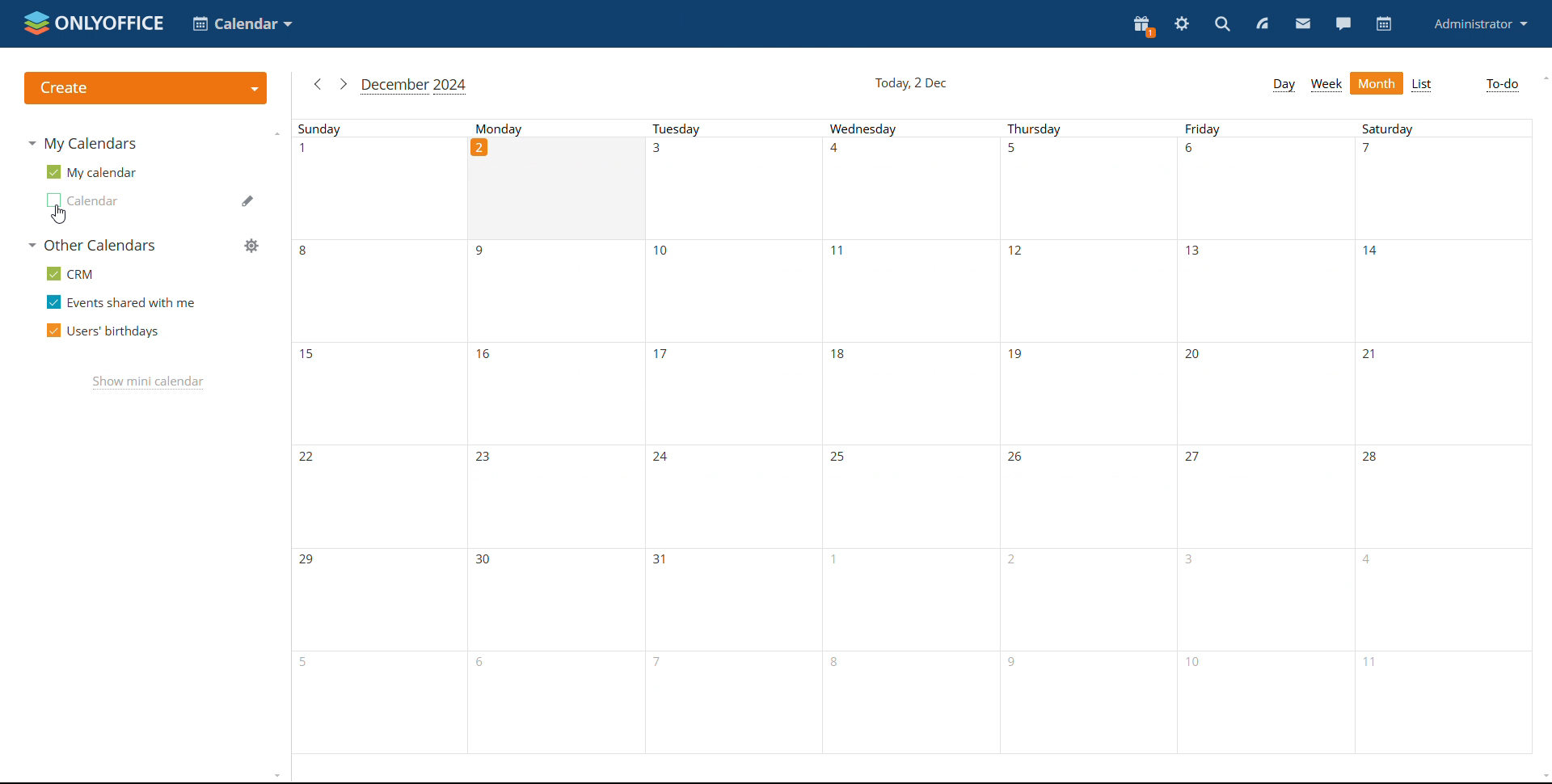 Image resolution: width=1552 pixels, height=784 pixels. I want to click on account, so click(1478, 24).